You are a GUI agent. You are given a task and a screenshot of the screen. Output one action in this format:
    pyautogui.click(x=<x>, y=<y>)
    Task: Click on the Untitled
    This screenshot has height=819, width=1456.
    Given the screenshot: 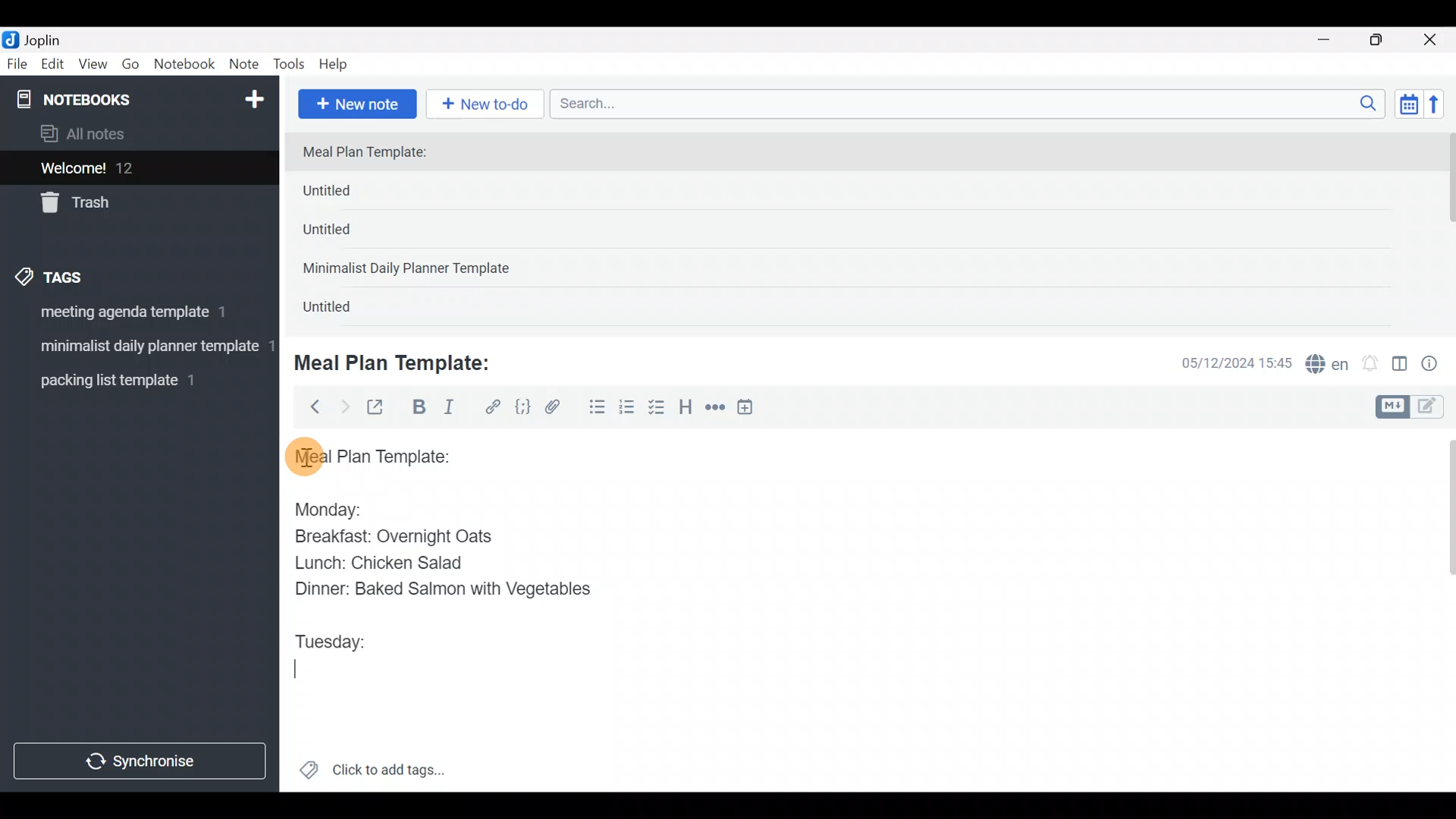 What is the action you would take?
    pyautogui.click(x=344, y=310)
    